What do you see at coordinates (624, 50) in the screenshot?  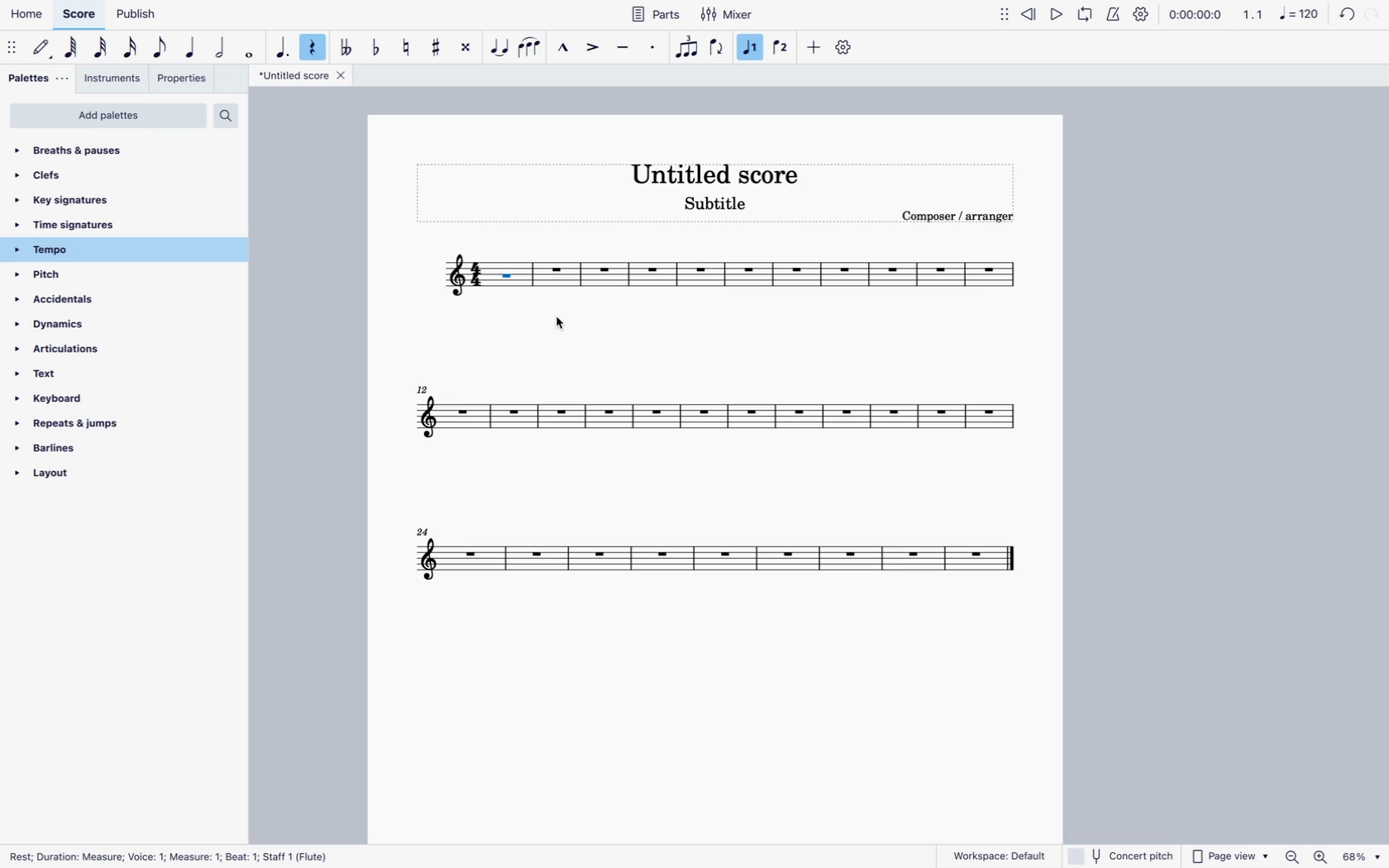 I see `tenuto` at bounding box center [624, 50].